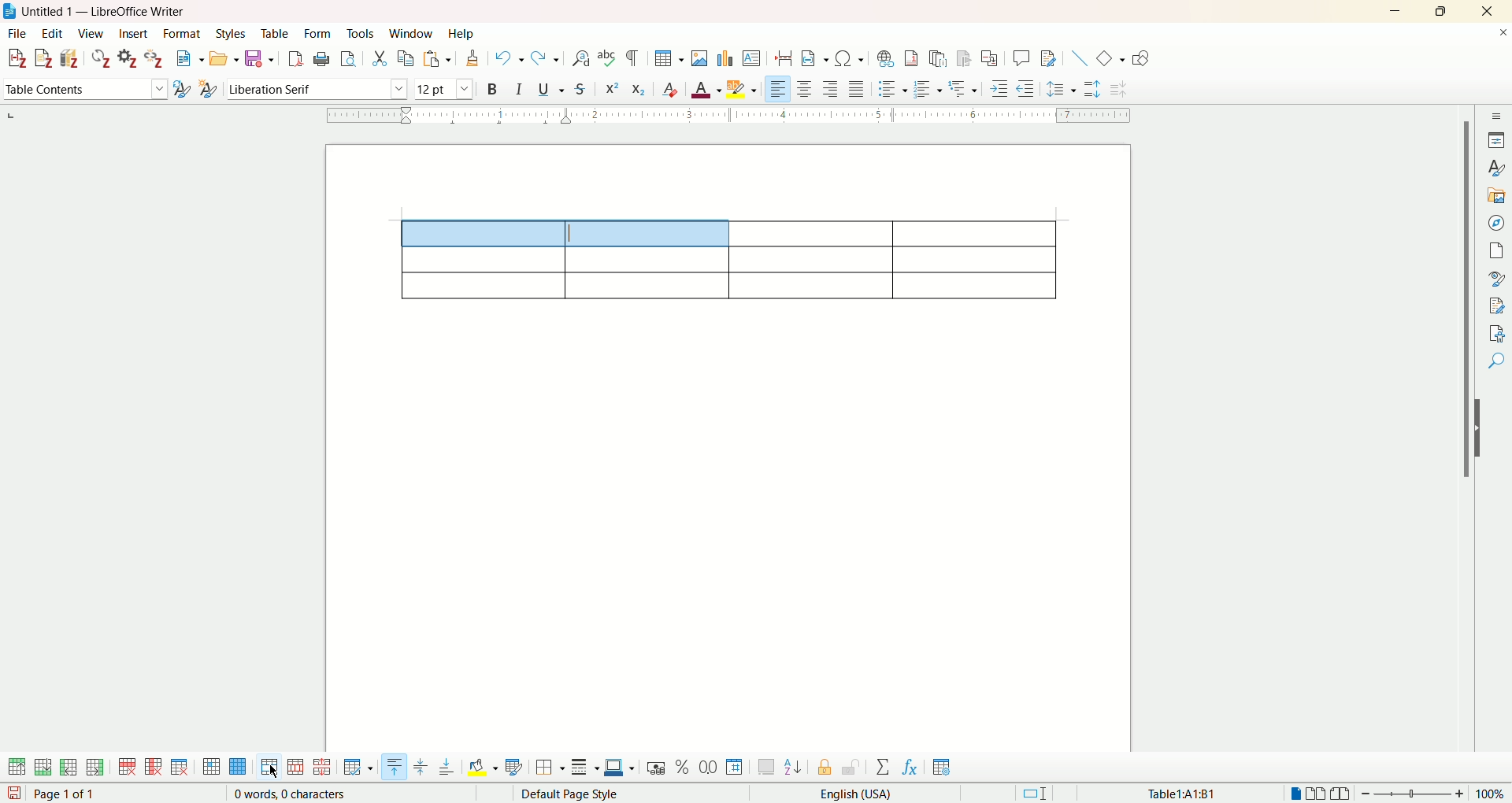 The width and height of the screenshot is (1512, 803). I want to click on single page view, so click(1295, 793).